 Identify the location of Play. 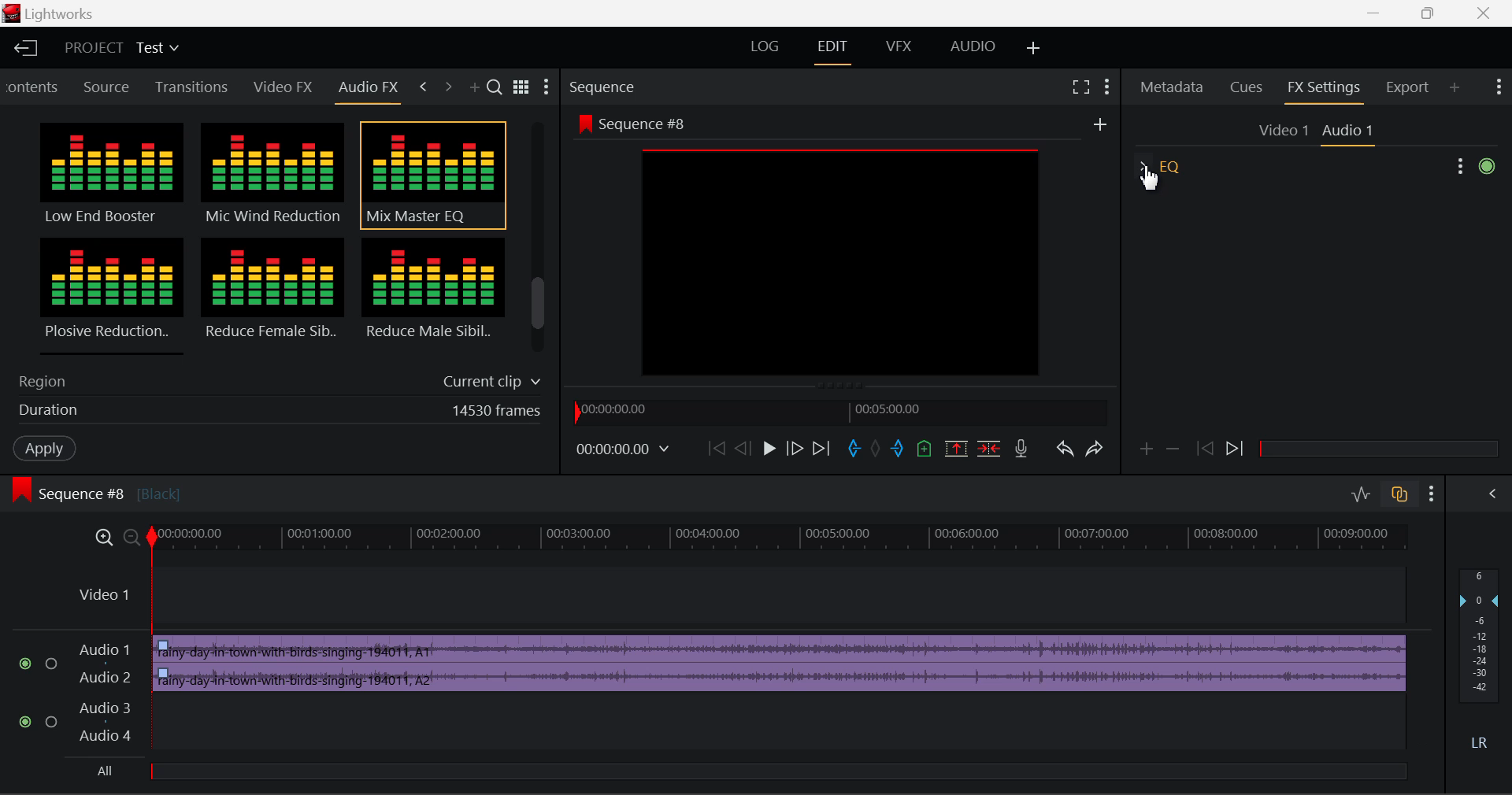
(769, 449).